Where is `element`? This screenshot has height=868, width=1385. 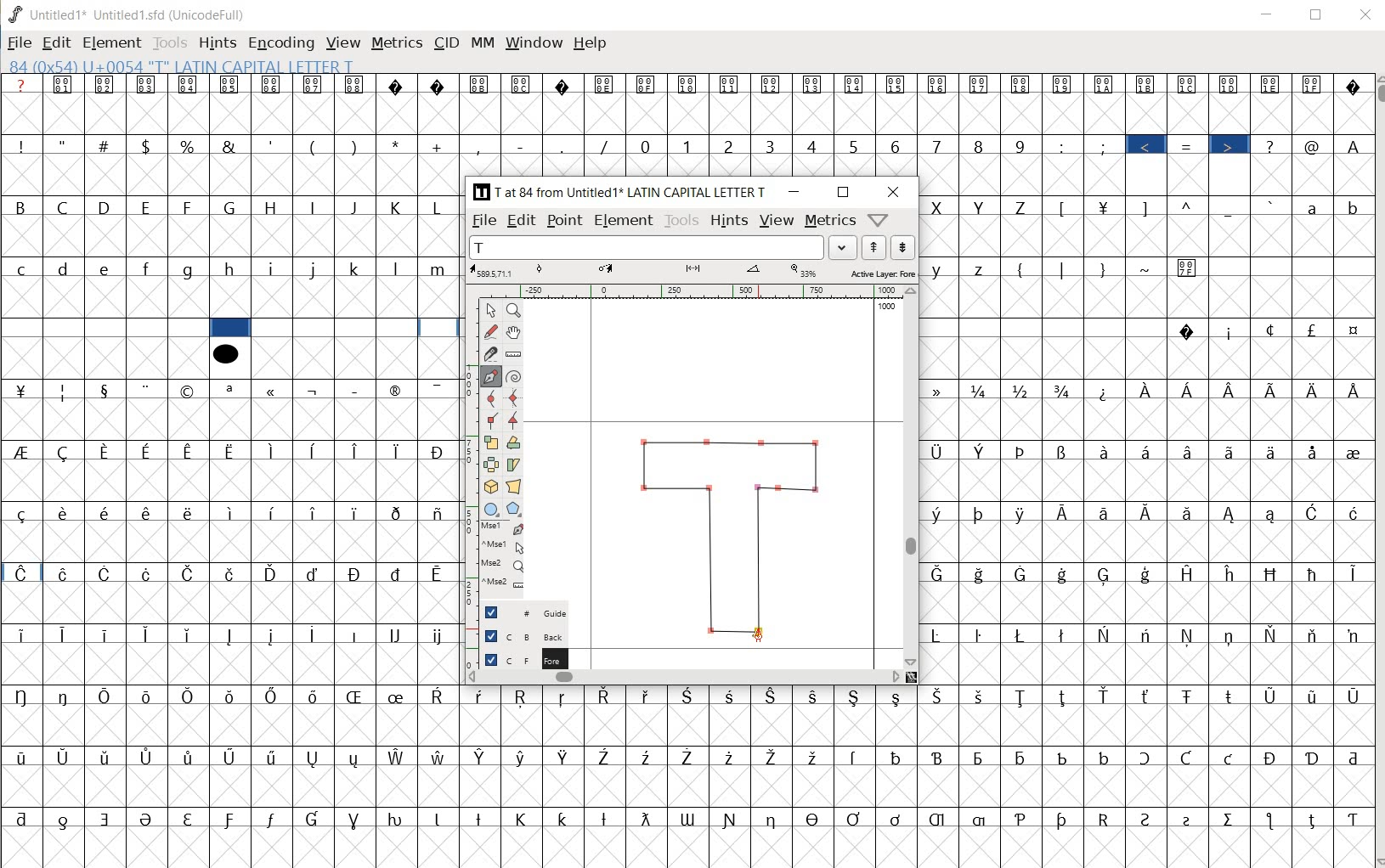
element is located at coordinates (624, 219).